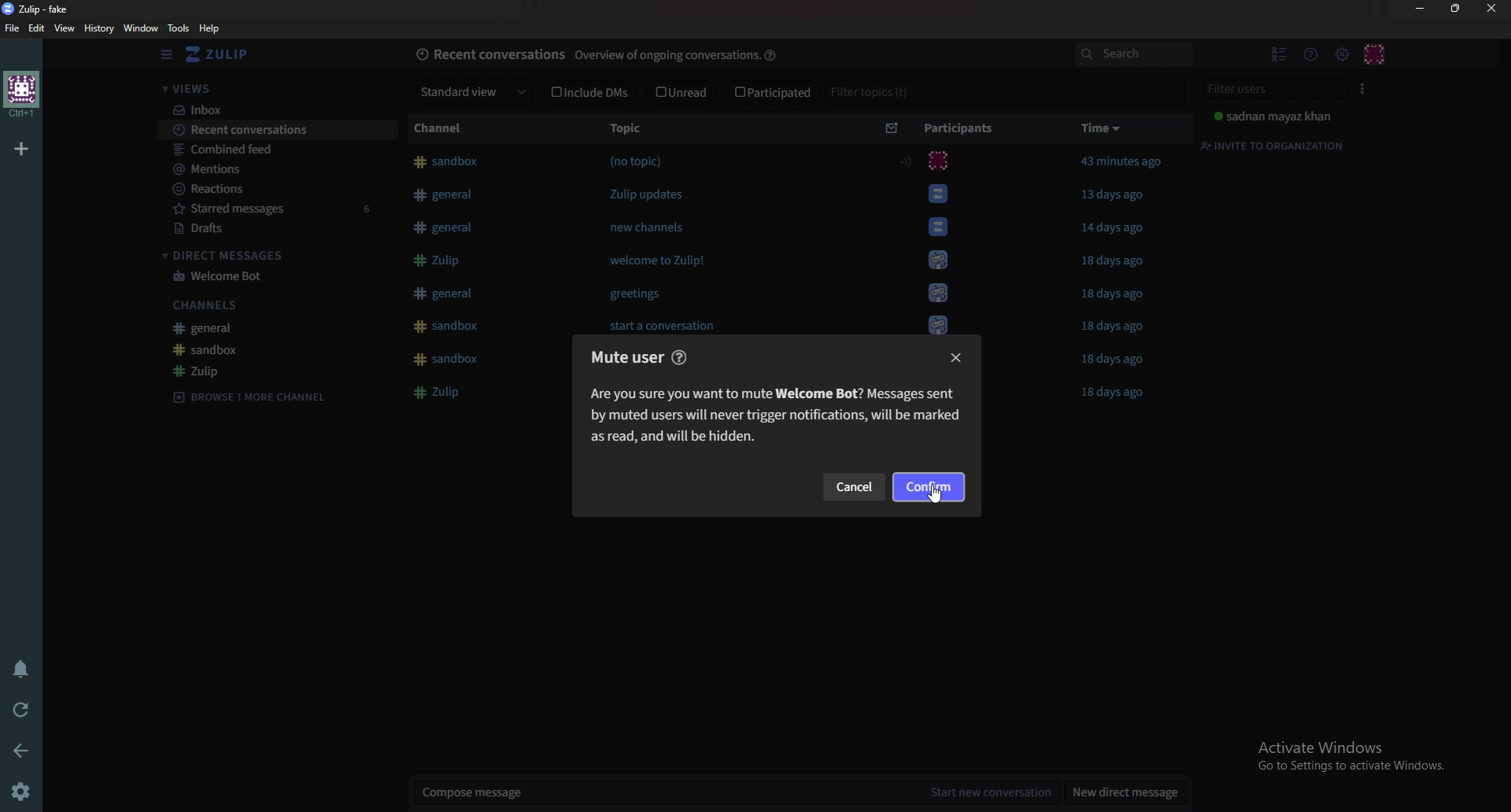 The image size is (1511, 812). I want to click on resize, so click(1455, 8).